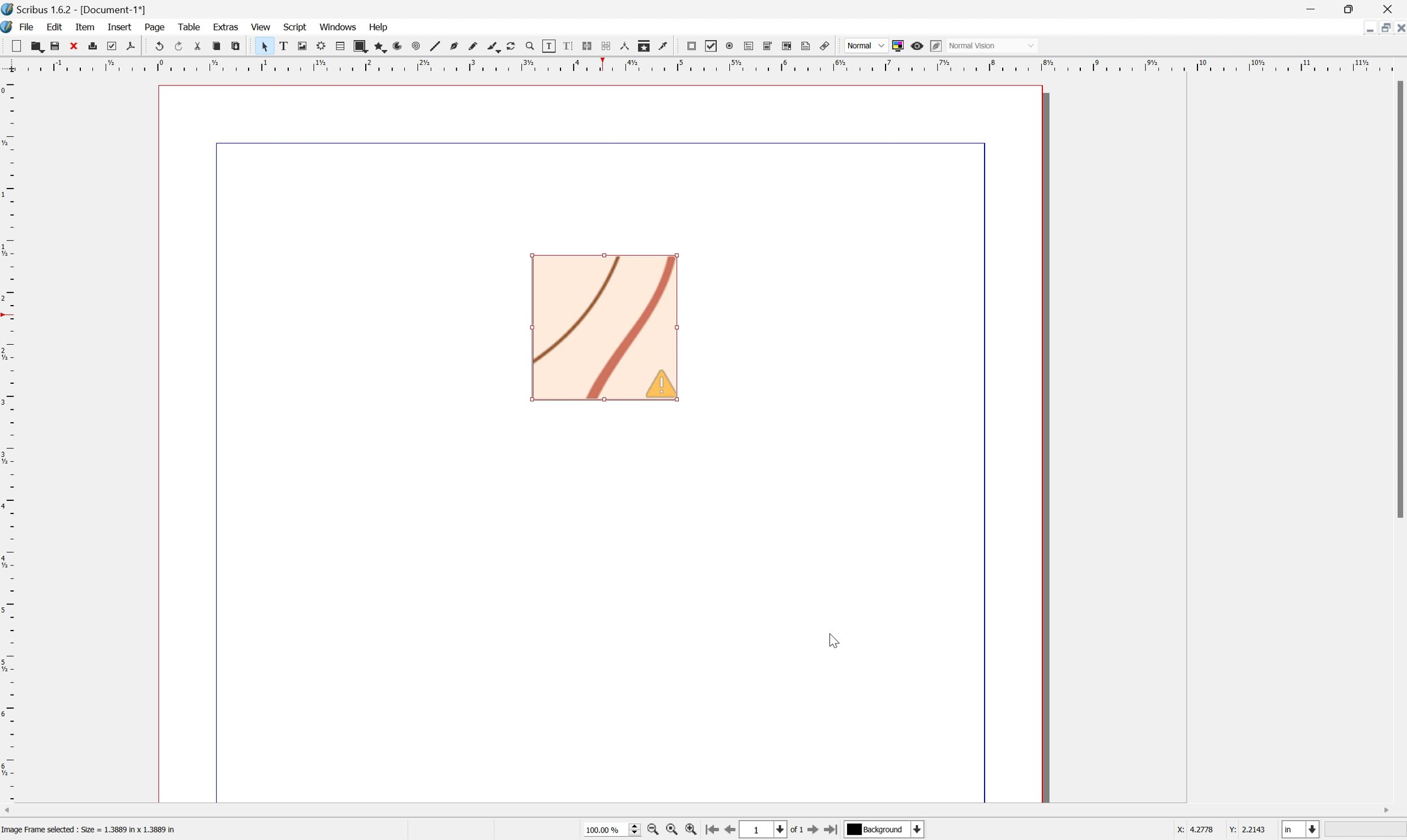 The image size is (1407, 840). I want to click on Minimize, so click(1311, 8).